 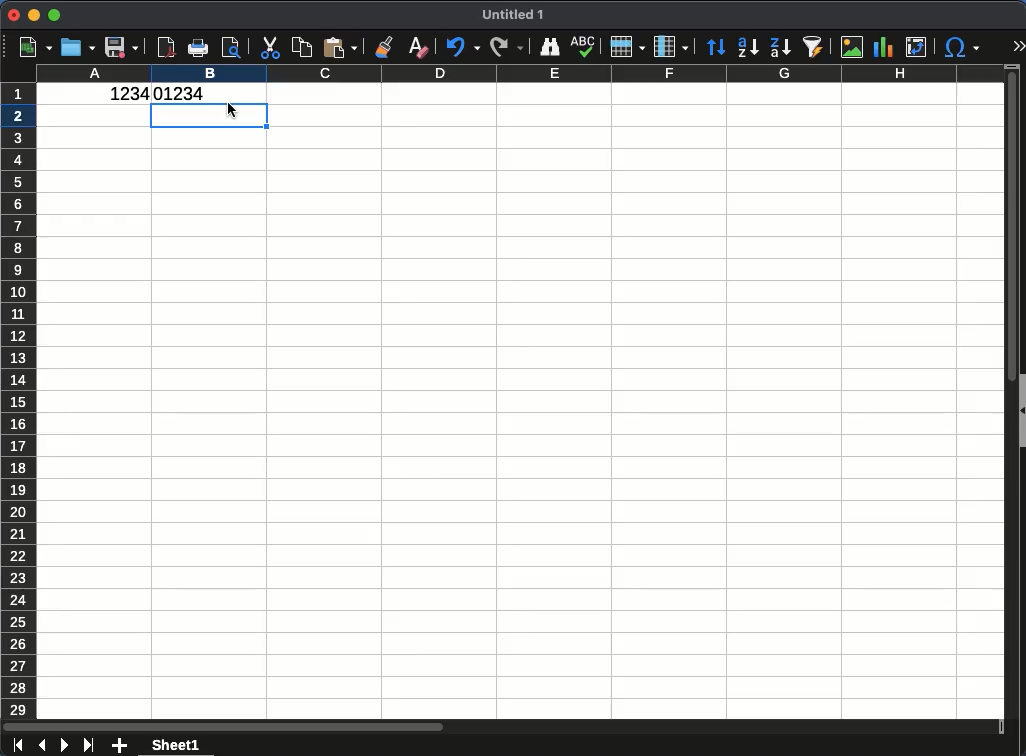 What do you see at coordinates (417, 45) in the screenshot?
I see `clear formatting` at bounding box center [417, 45].